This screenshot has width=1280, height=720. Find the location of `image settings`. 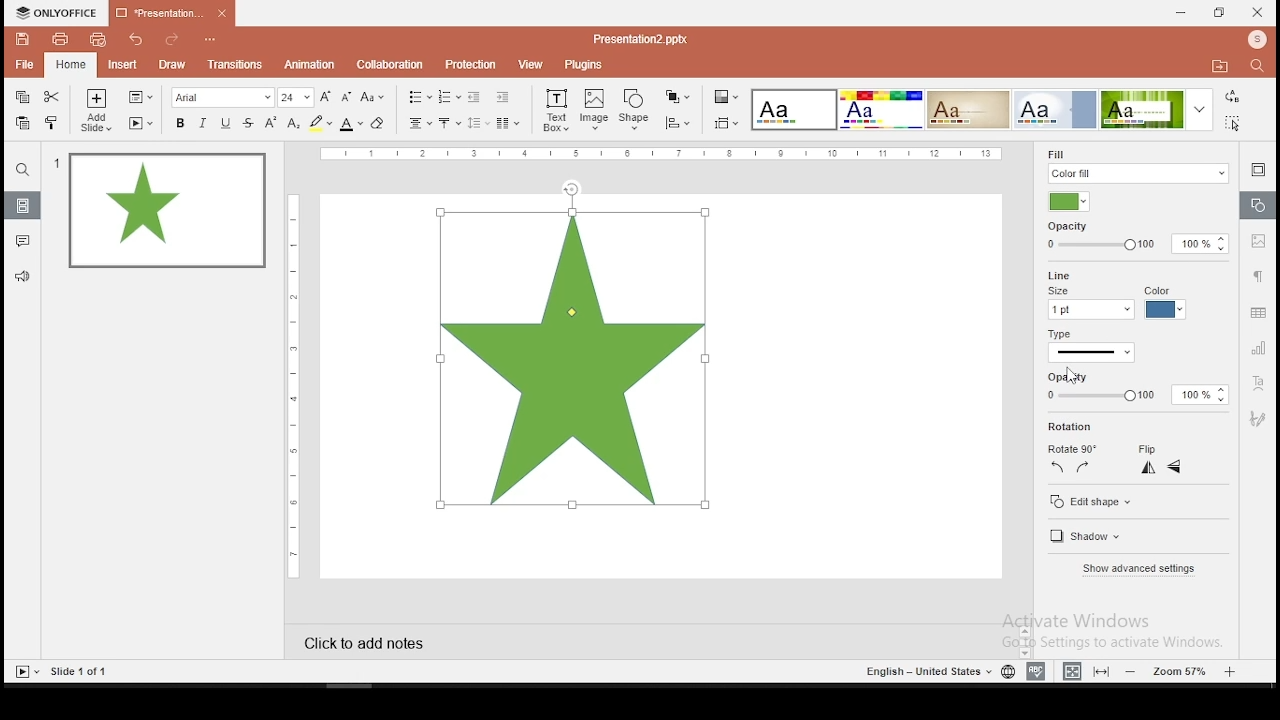

image settings is located at coordinates (1259, 241).